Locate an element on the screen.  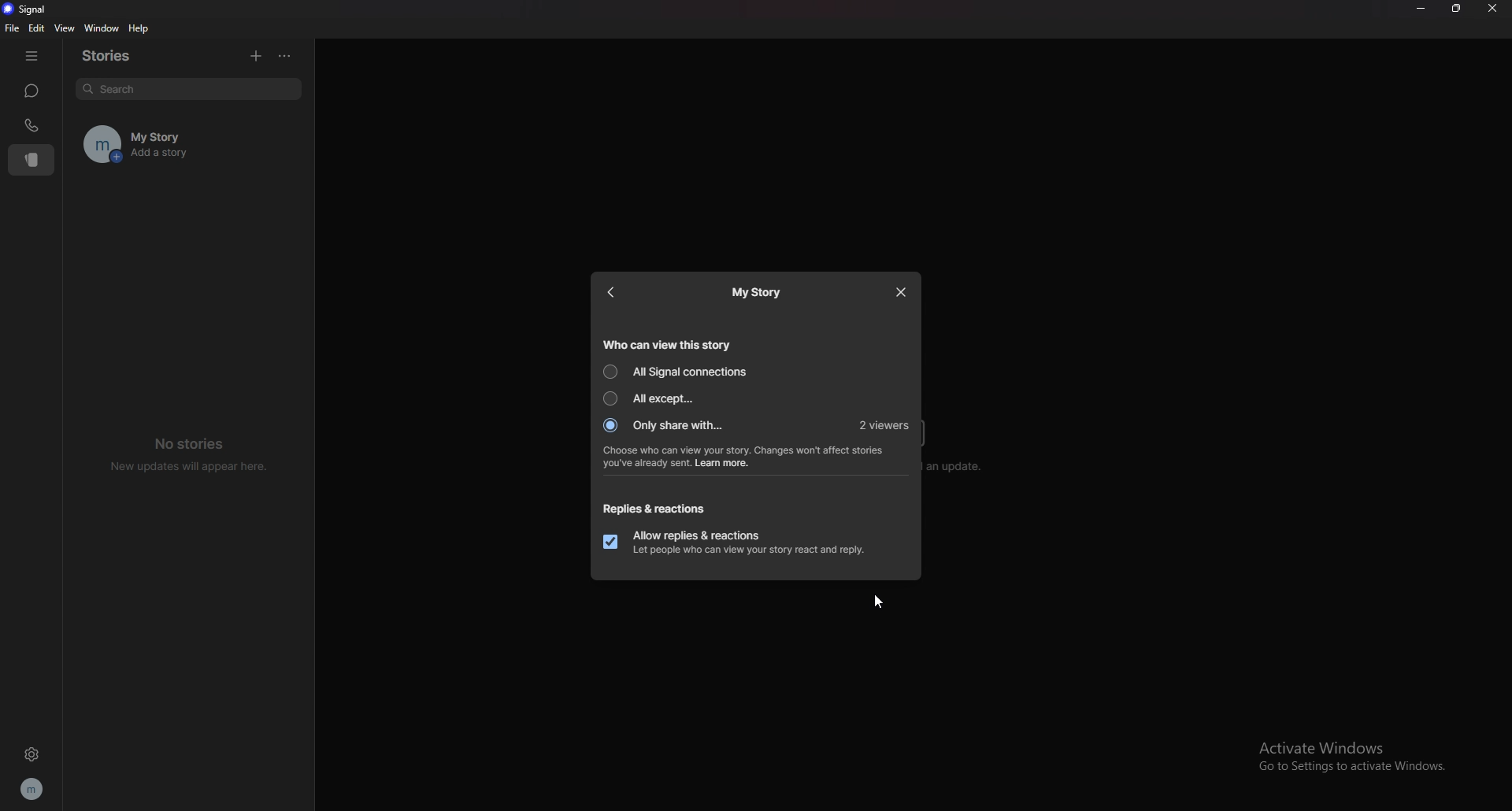
view is located at coordinates (65, 28).